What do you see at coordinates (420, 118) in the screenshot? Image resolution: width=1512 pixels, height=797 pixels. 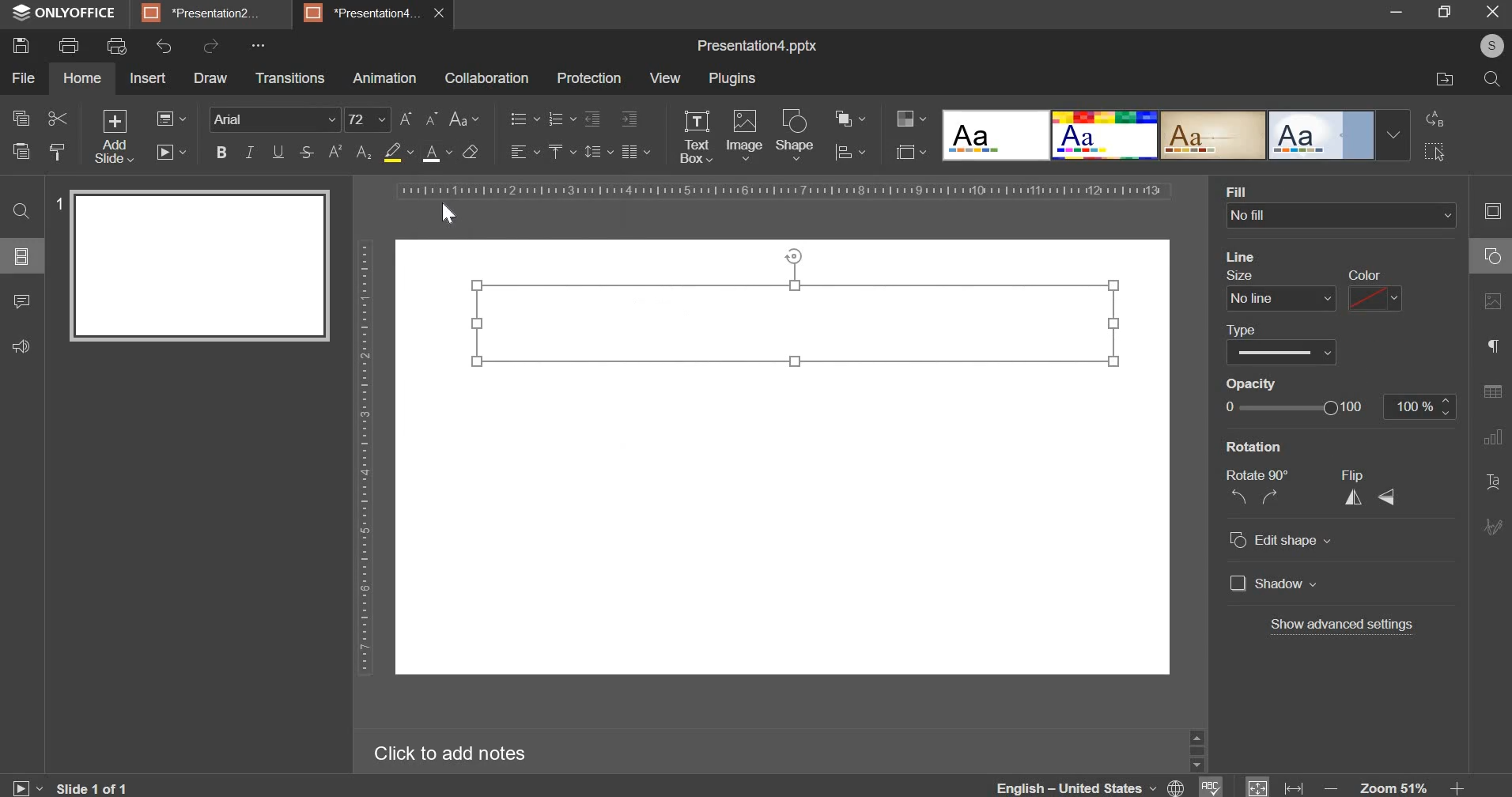 I see `change font size` at bounding box center [420, 118].